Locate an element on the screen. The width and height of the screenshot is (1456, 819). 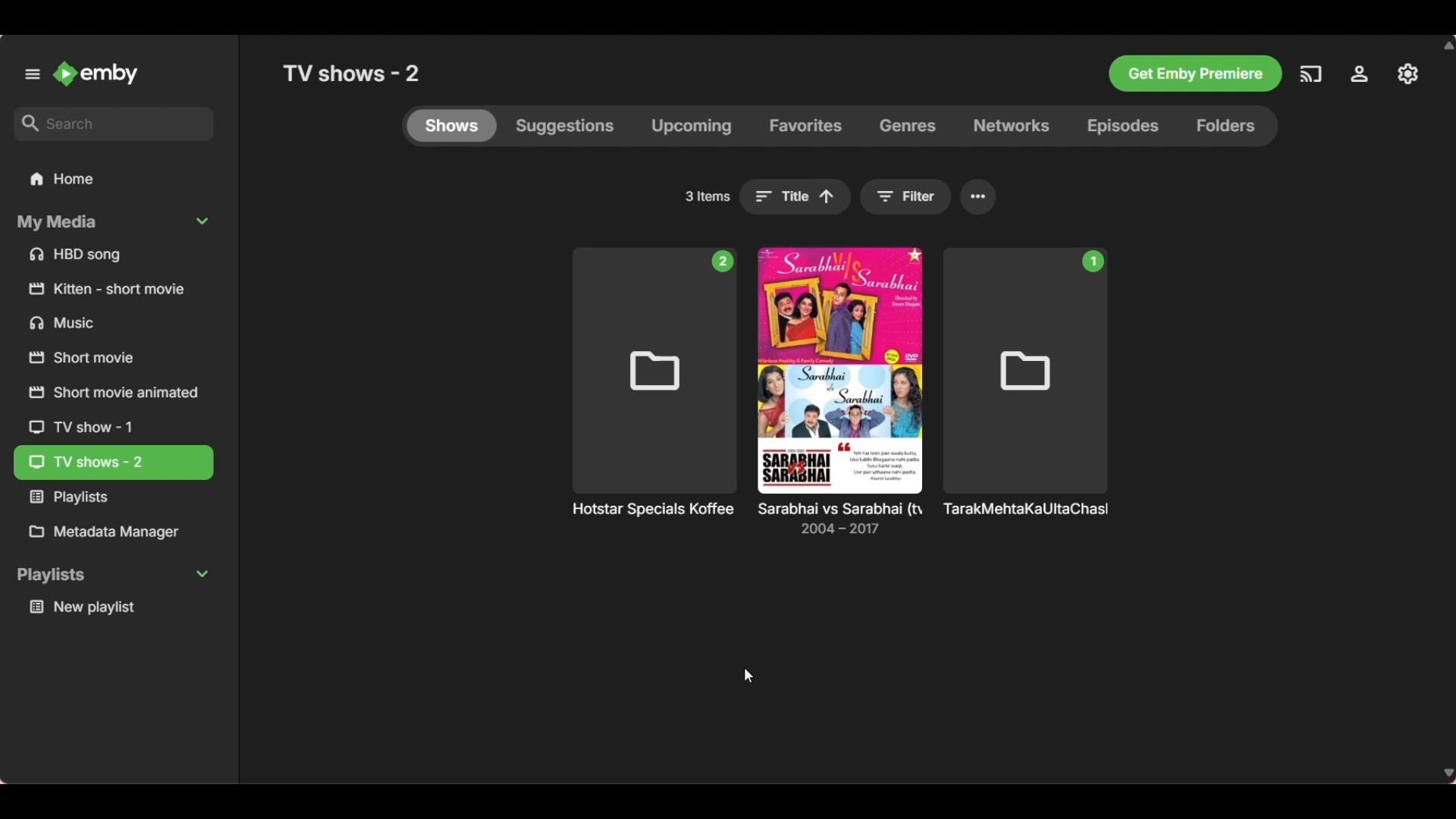
 is located at coordinates (1036, 508).